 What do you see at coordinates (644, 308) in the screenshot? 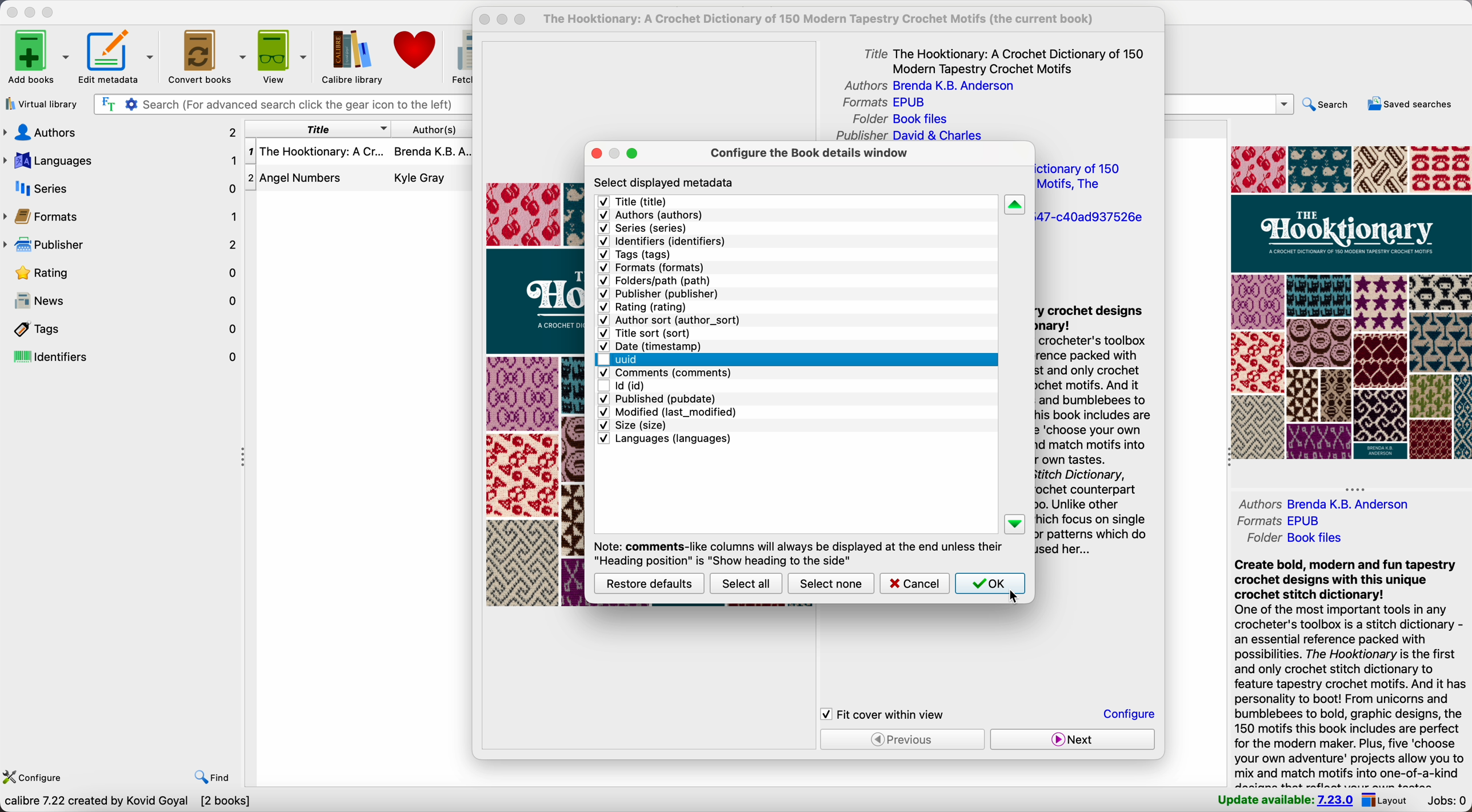
I see `rating` at bounding box center [644, 308].